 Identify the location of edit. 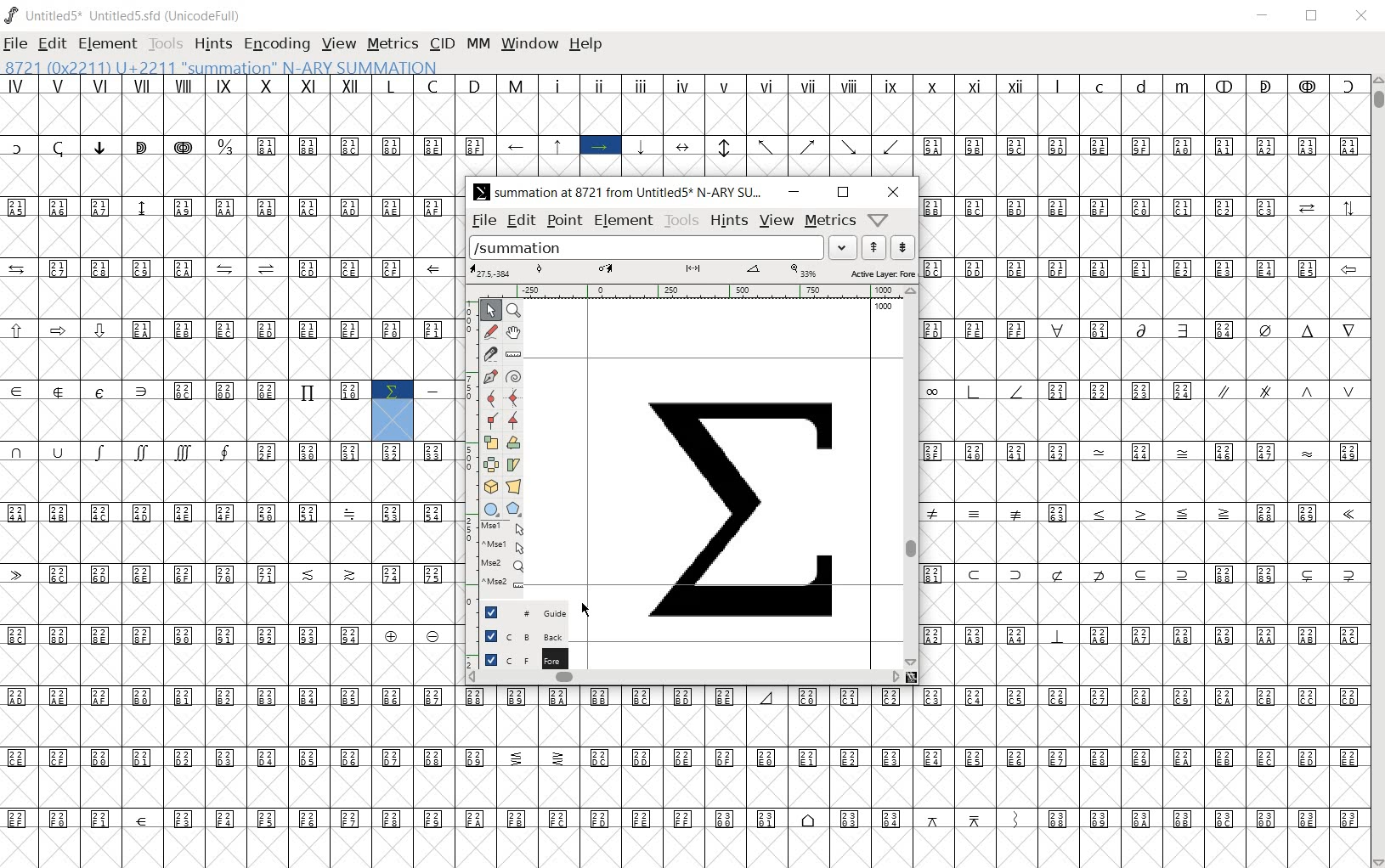
(519, 219).